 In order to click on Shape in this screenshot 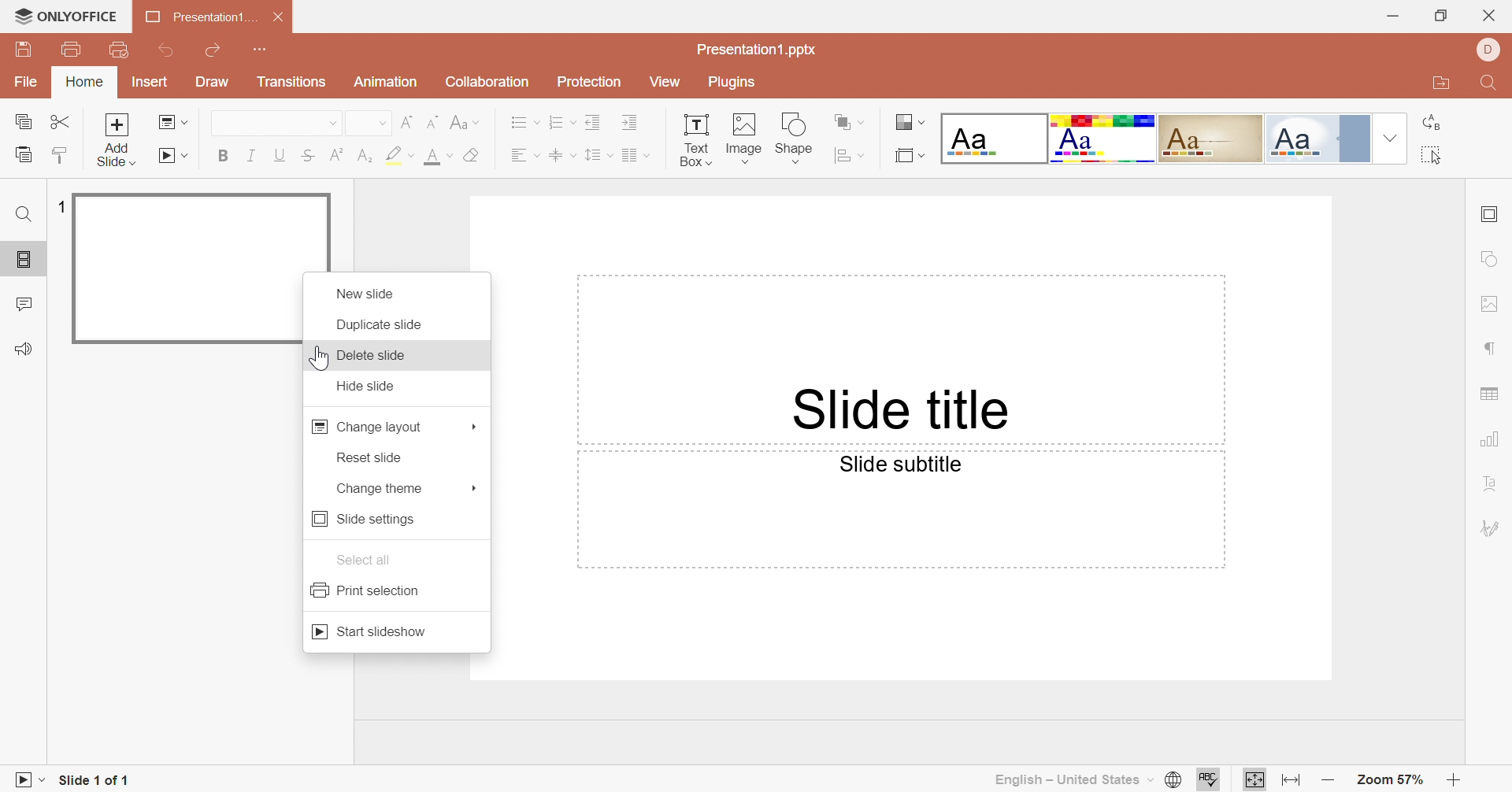, I will do `click(792, 139)`.